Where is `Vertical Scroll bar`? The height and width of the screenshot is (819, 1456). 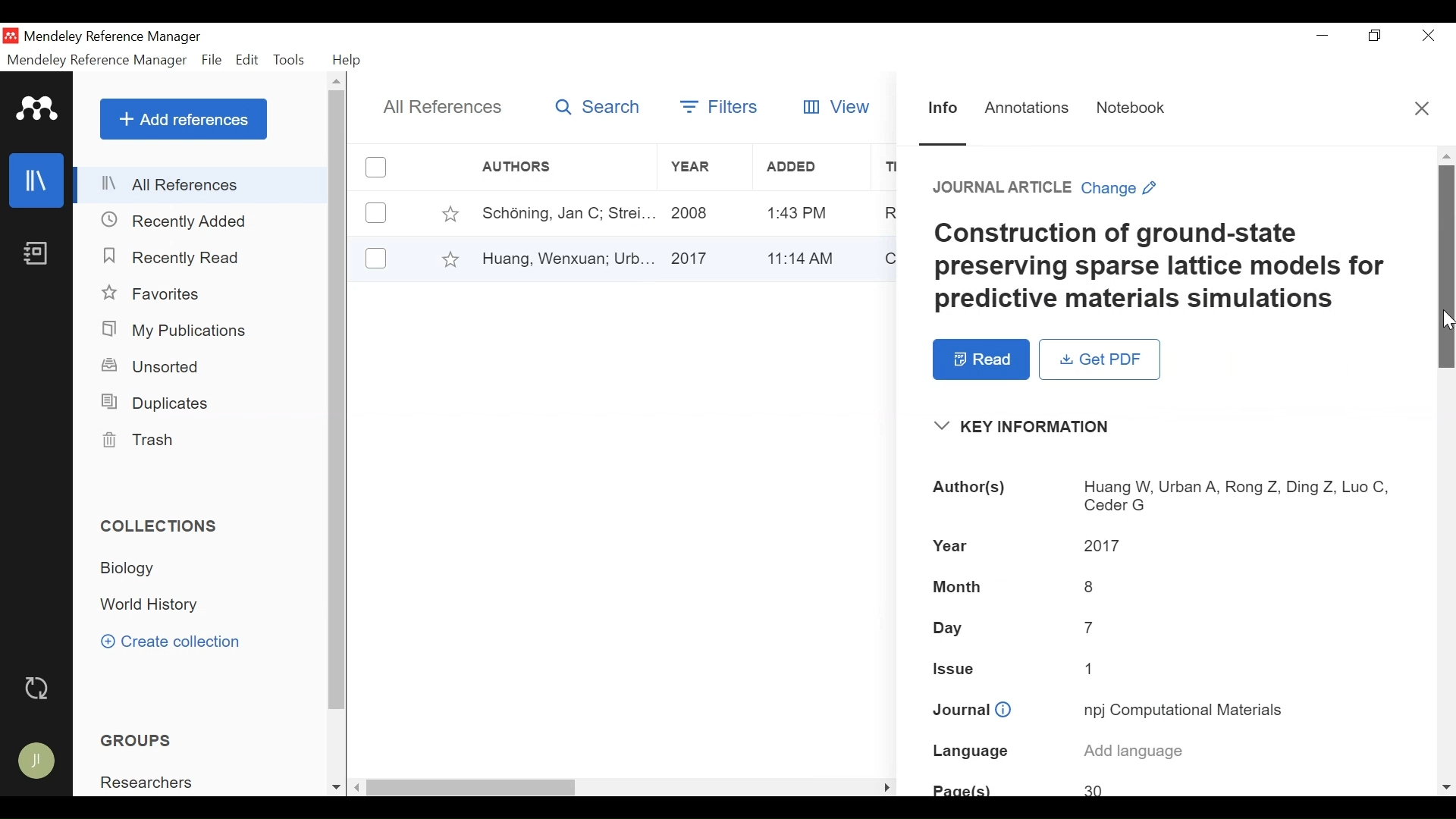
Vertical Scroll bar is located at coordinates (1446, 268).